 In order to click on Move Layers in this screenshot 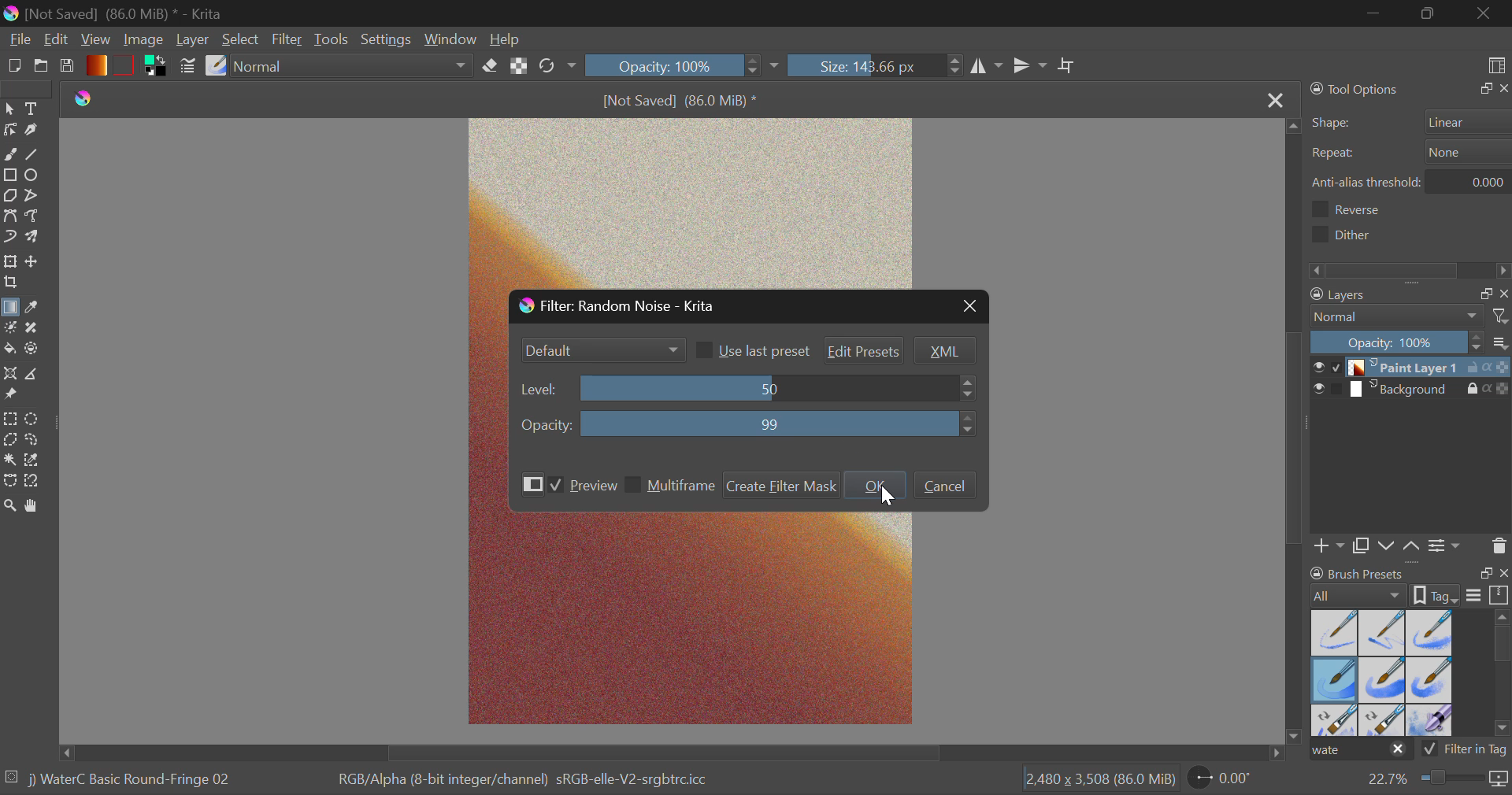, I will do `click(32, 261)`.